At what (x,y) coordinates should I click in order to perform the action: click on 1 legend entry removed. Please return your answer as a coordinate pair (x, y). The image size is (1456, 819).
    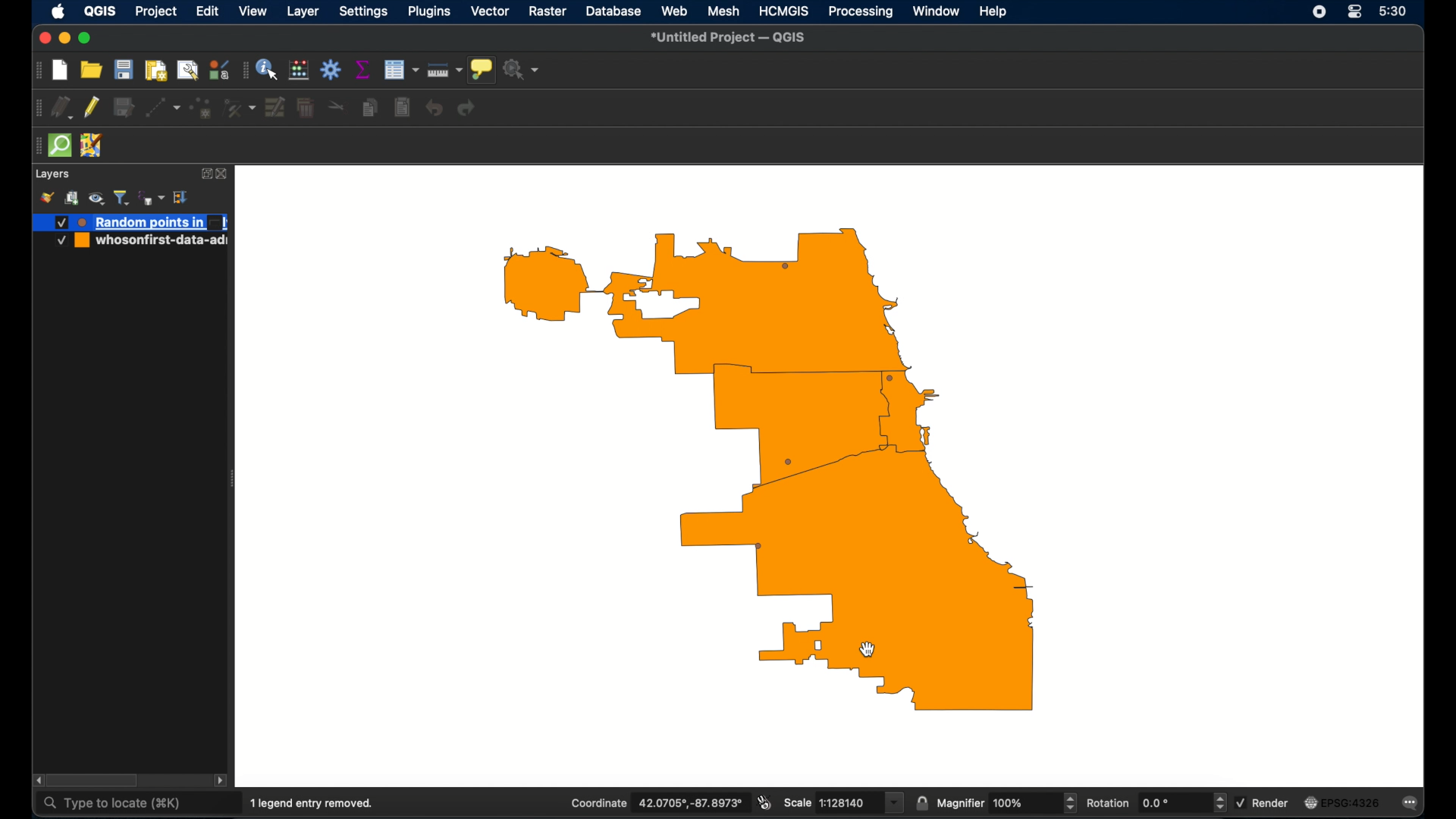
    Looking at the image, I should click on (312, 804).